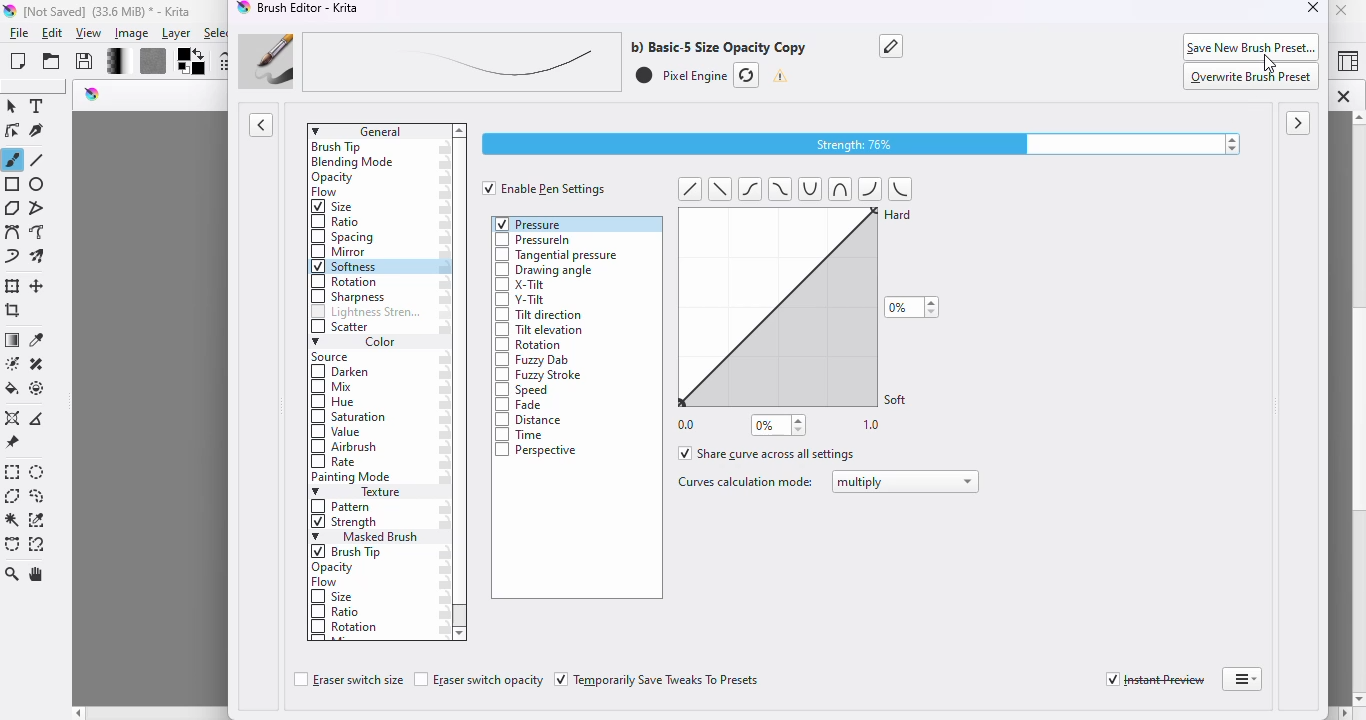  I want to click on curlve, so click(836, 188).